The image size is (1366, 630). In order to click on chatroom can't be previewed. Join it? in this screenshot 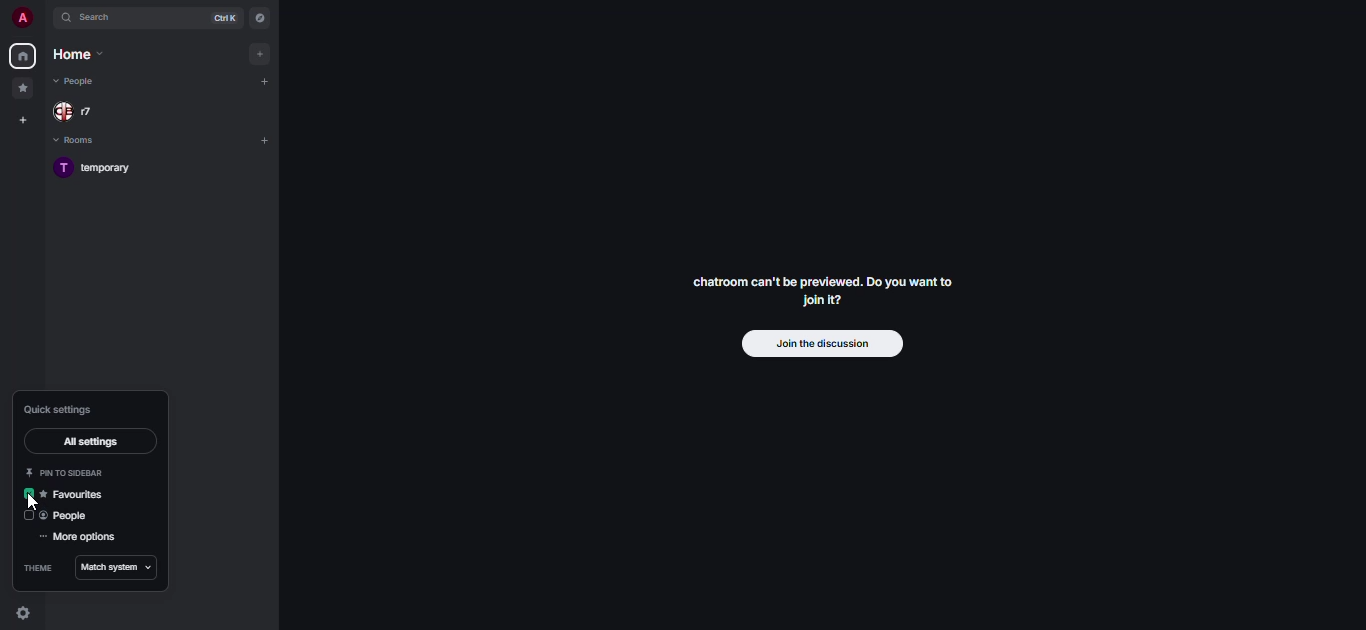, I will do `click(821, 290)`.